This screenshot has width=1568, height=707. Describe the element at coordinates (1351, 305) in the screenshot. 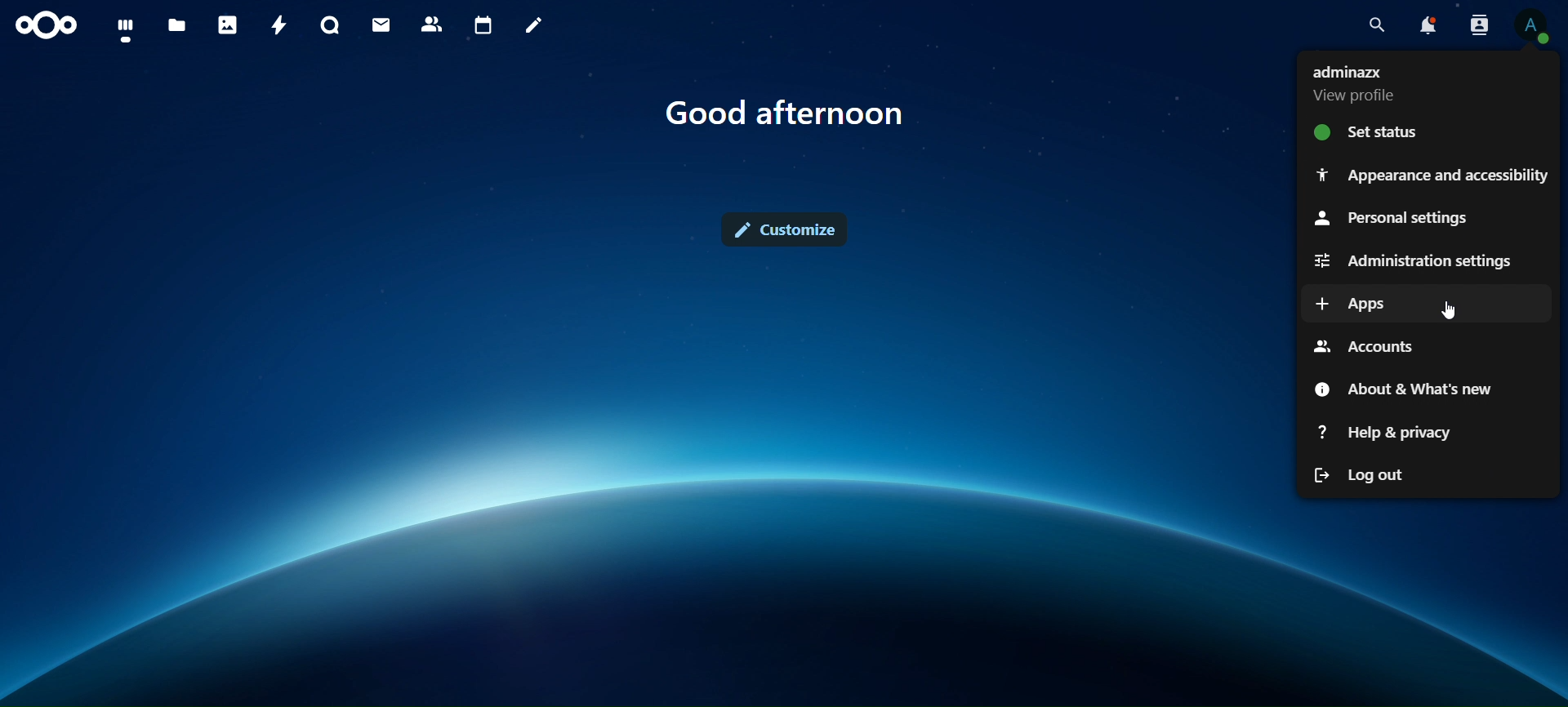

I see `apps` at that location.